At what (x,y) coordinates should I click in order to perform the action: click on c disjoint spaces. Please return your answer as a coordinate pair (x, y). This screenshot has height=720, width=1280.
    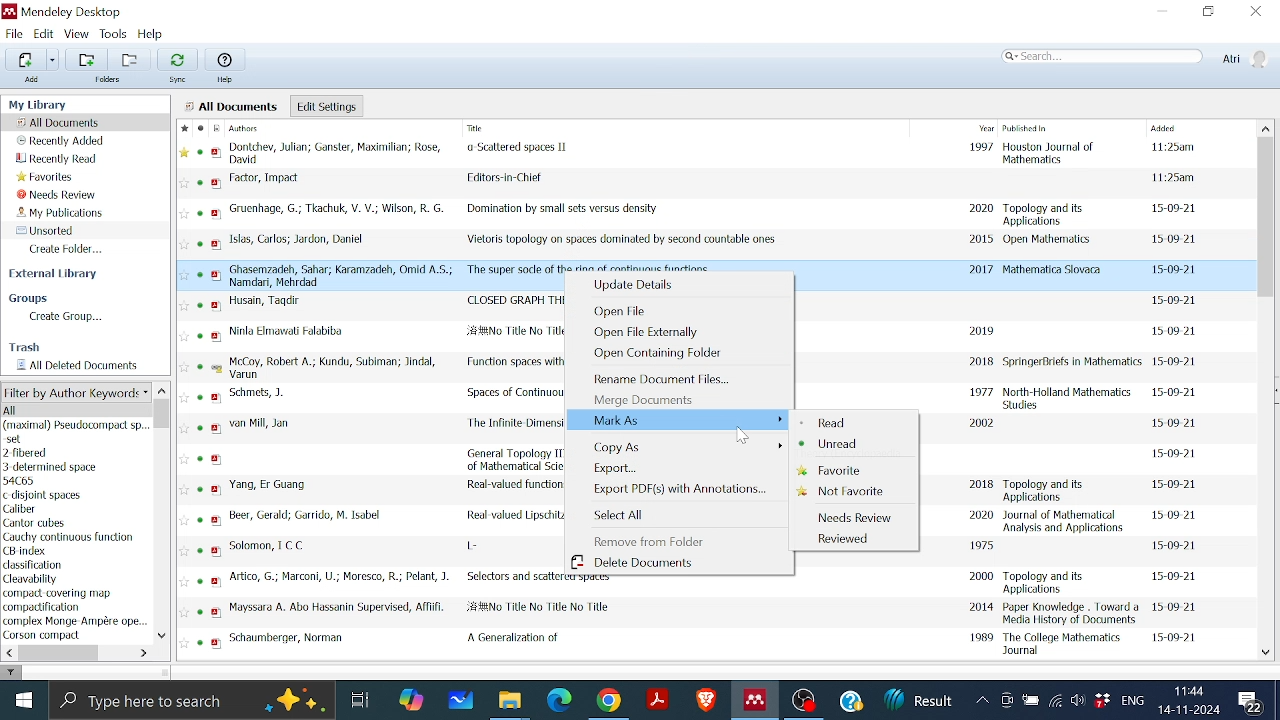
    Looking at the image, I should click on (42, 495).